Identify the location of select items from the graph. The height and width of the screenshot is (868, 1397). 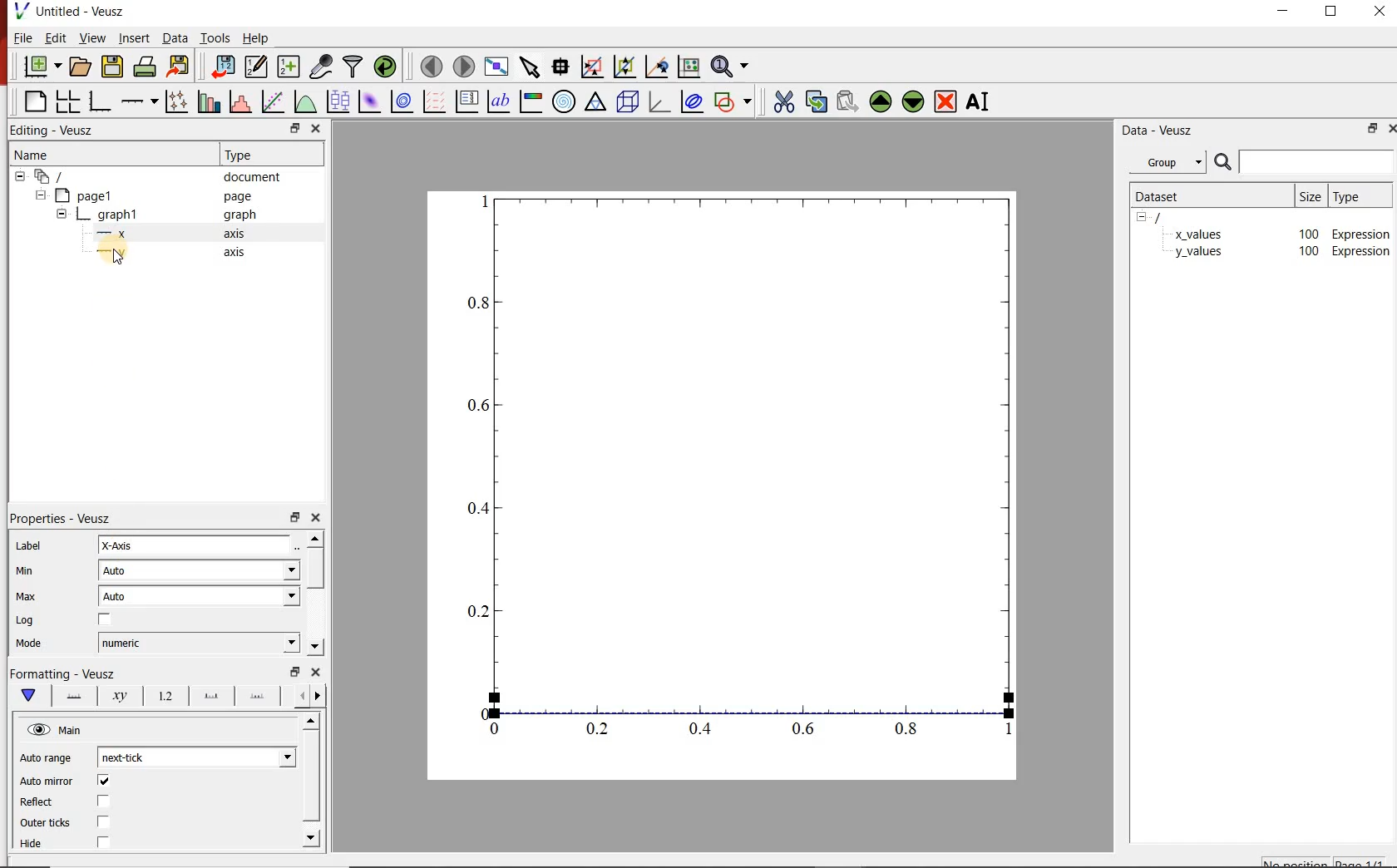
(531, 67).